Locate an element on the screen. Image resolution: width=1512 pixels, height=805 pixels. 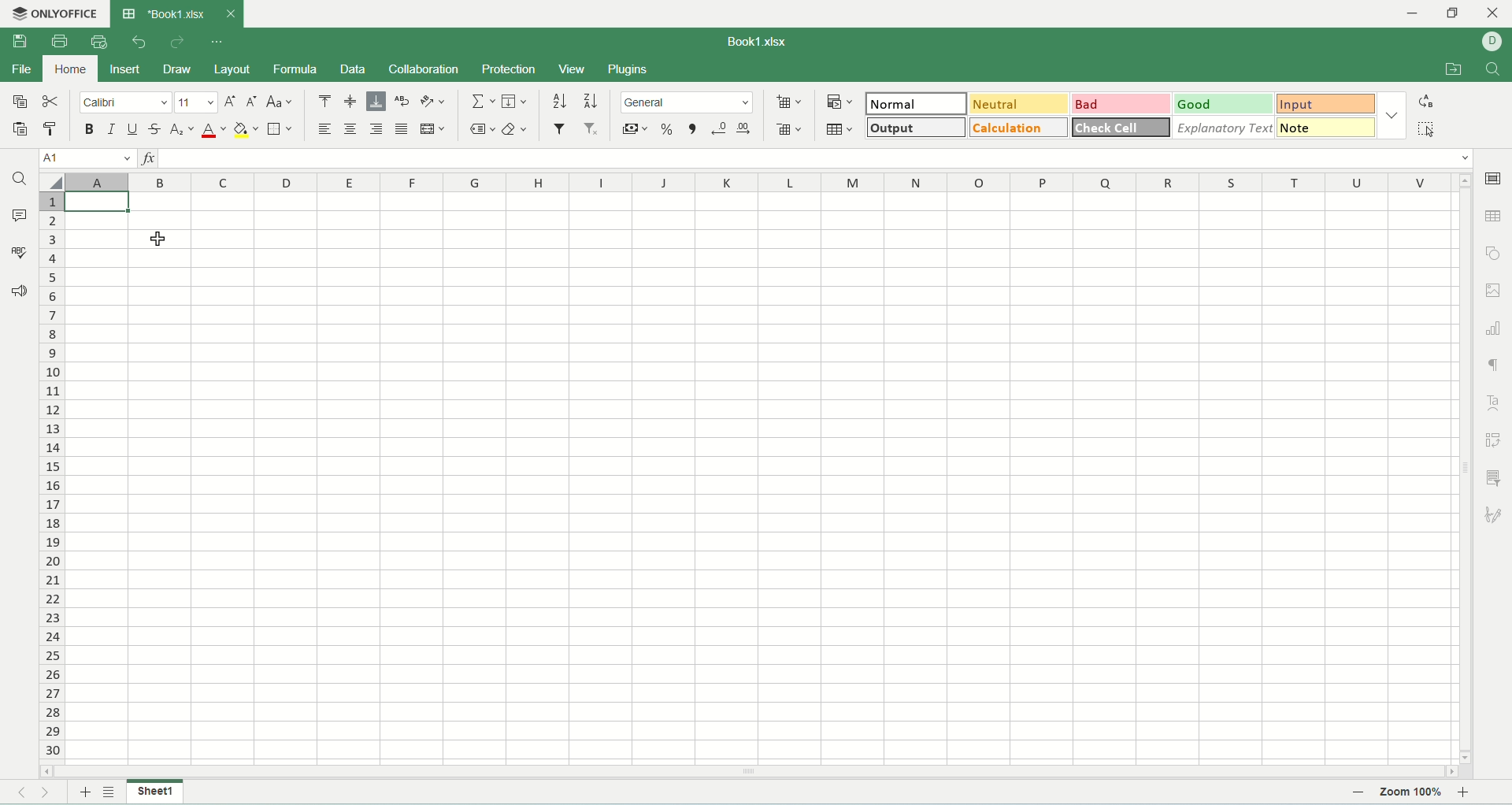
print is located at coordinates (59, 40).